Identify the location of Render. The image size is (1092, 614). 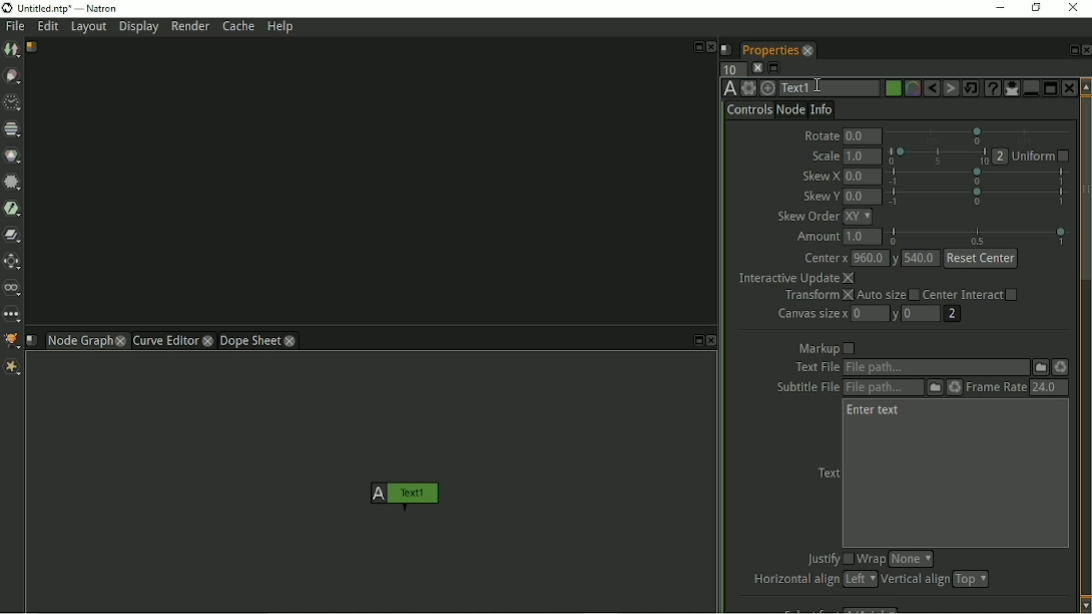
(190, 26).